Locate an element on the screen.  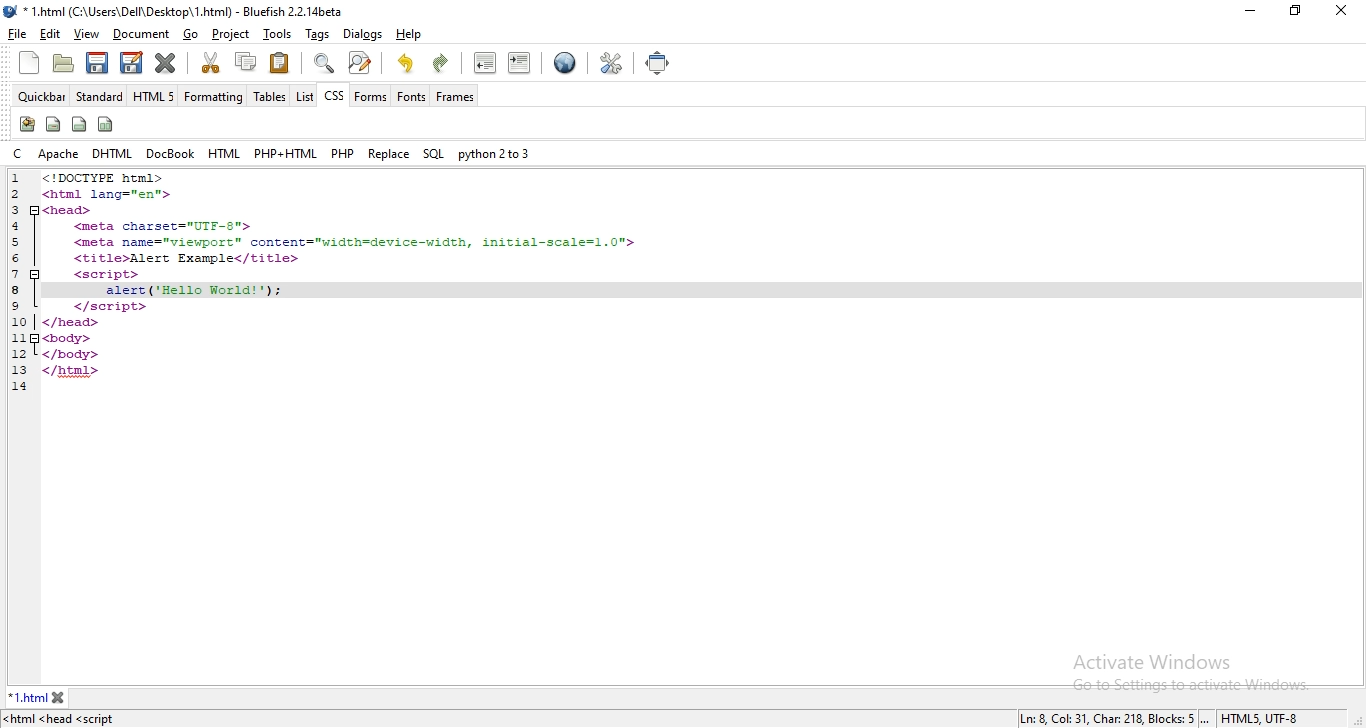
2 is located at coordinates (21, 194).